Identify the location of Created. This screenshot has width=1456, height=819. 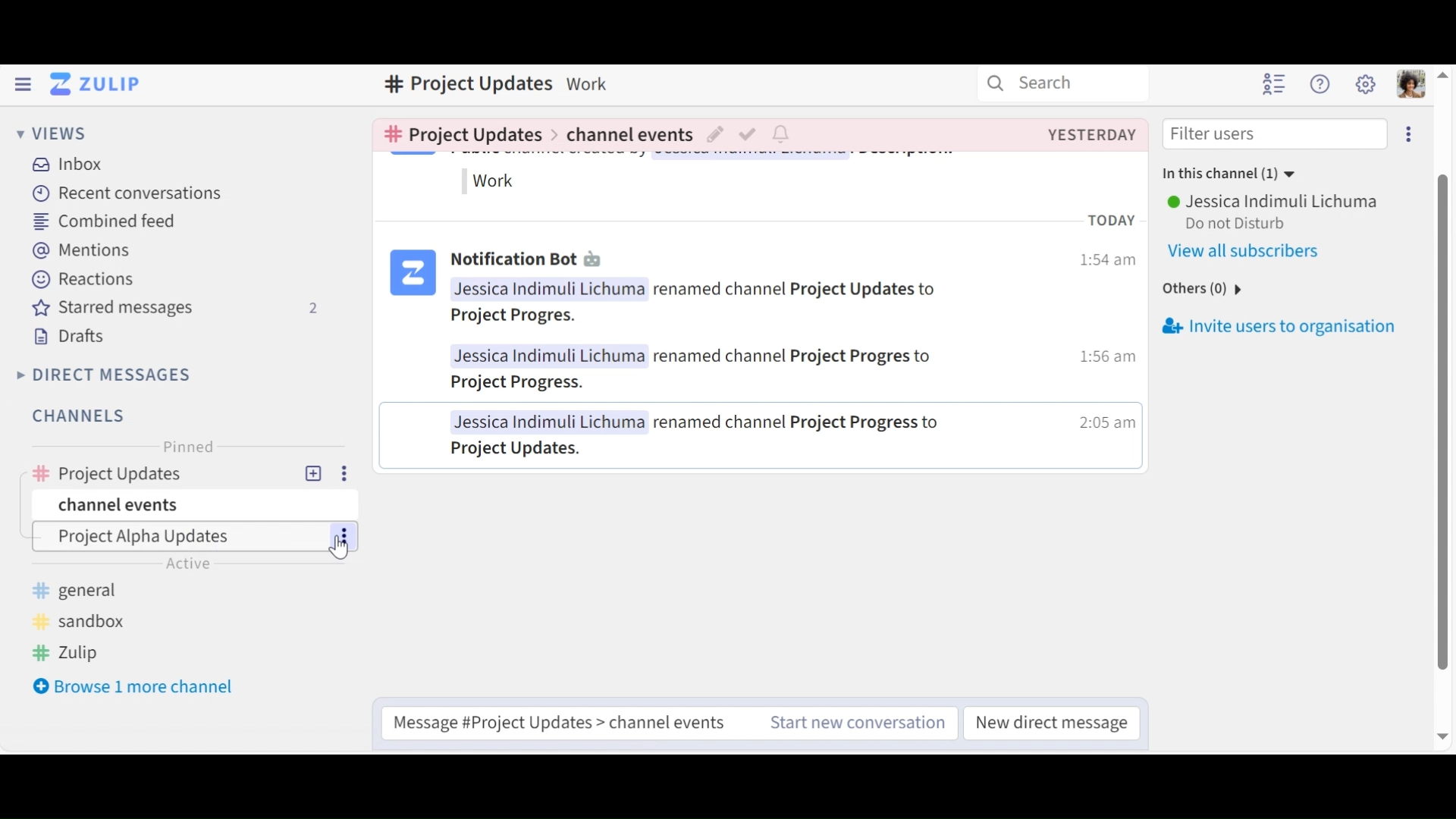
(1091, 135).